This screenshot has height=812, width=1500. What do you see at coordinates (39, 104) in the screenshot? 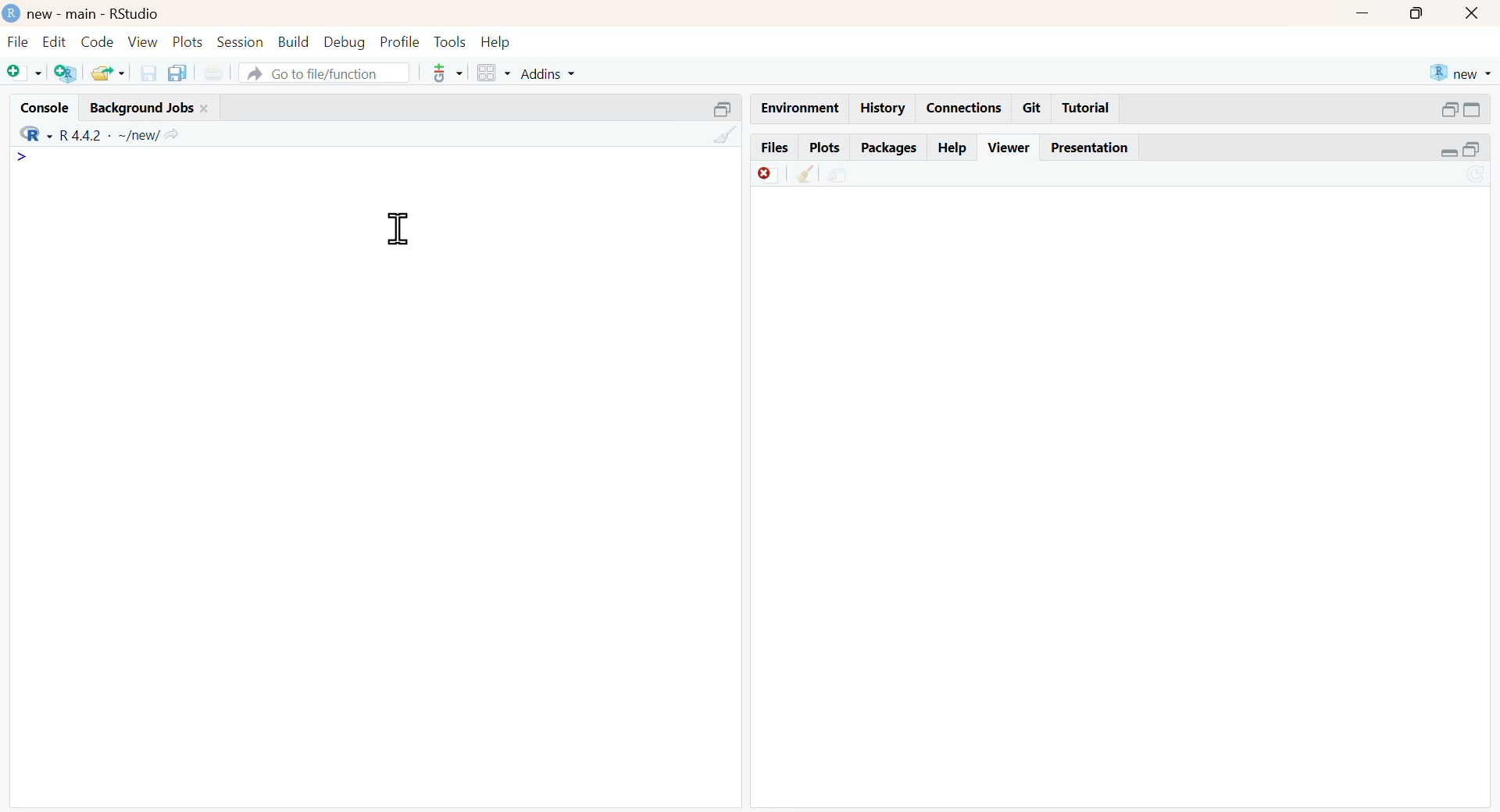
I see `Console` at bounding box center [39, 104].